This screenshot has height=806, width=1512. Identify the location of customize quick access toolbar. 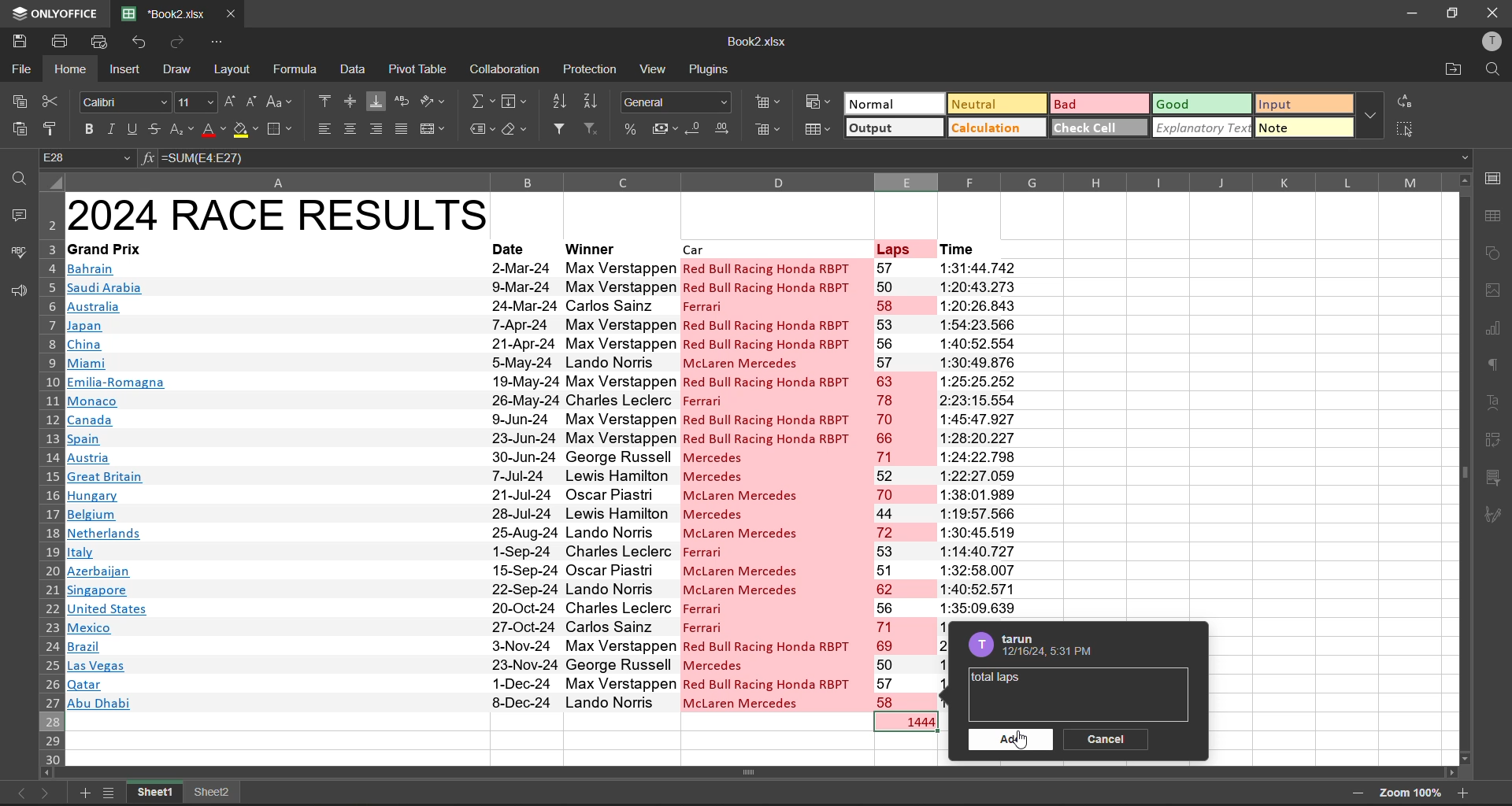
(221, 43).